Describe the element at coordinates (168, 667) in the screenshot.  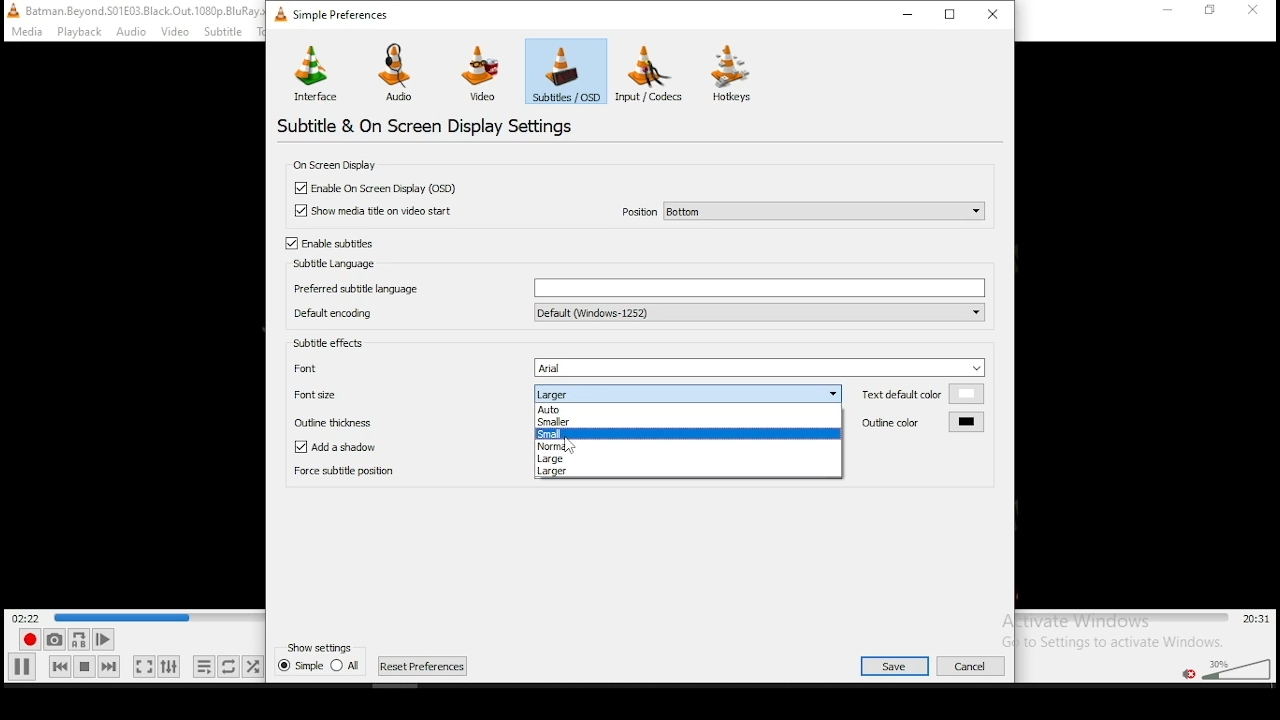
I see `show extended settings` at that location.